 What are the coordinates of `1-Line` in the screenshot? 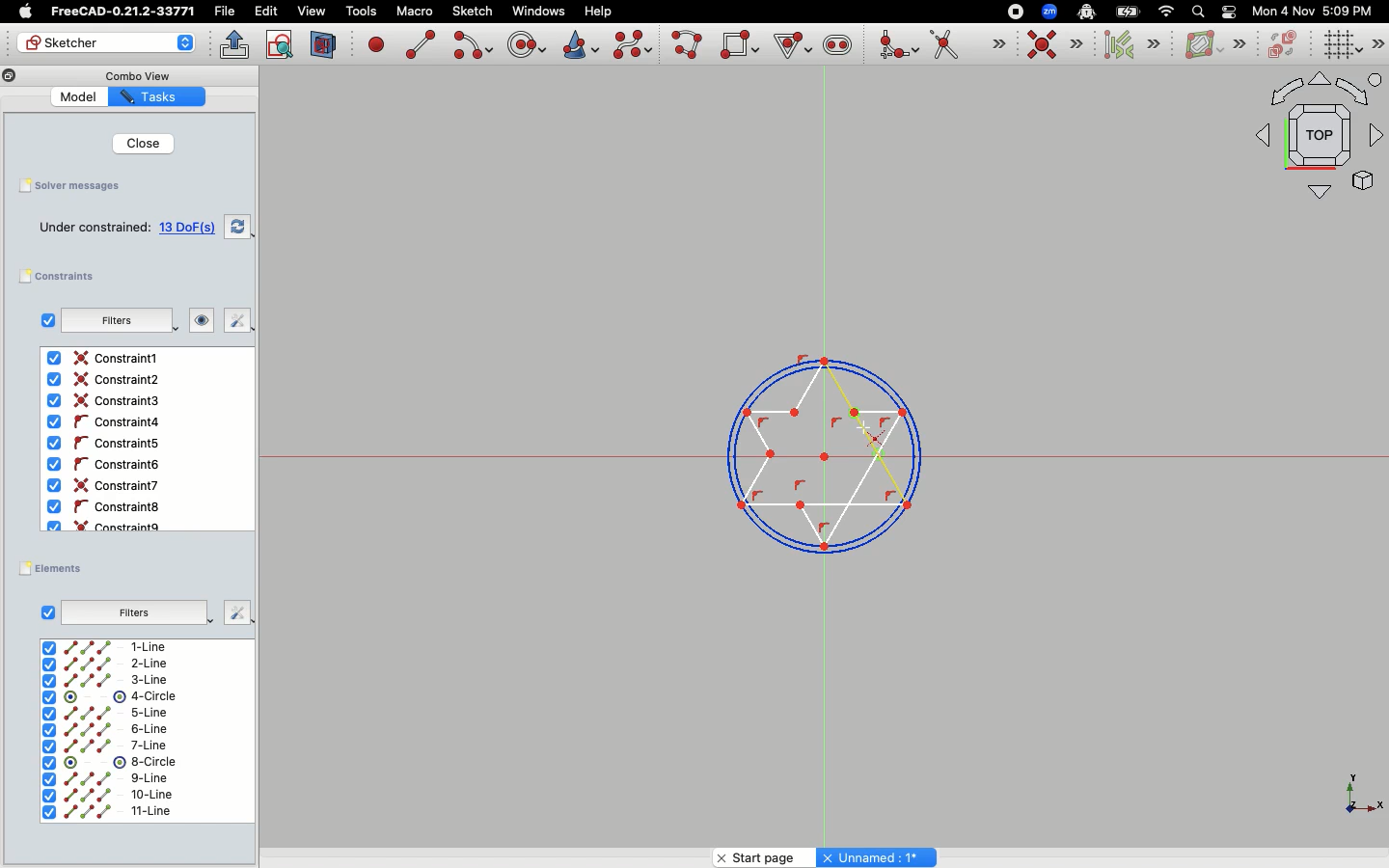 It's located at (114, 647).